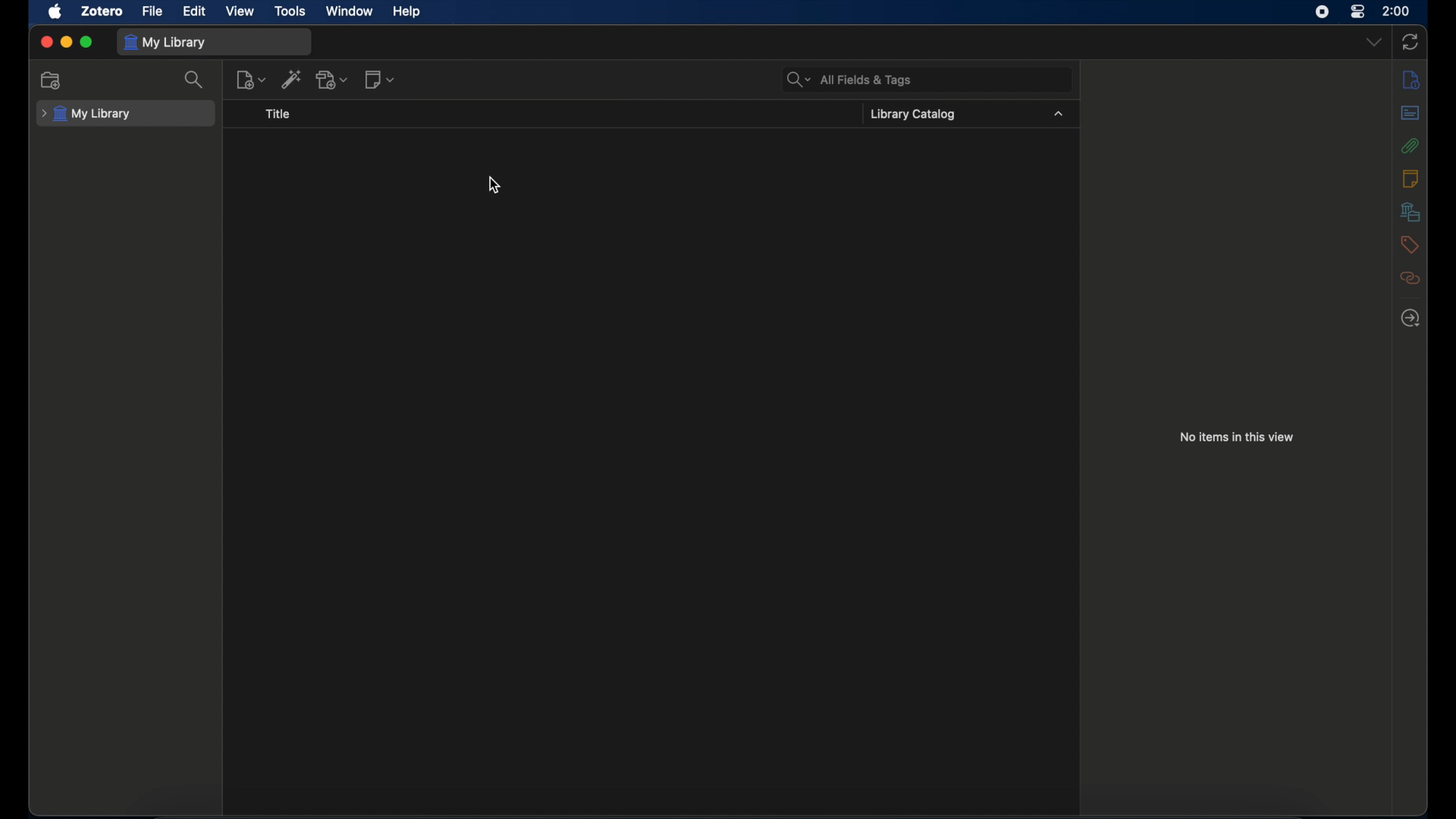  Describe the element at coordinates (103, 12) in the screenshot. I see `zotero` at that location.